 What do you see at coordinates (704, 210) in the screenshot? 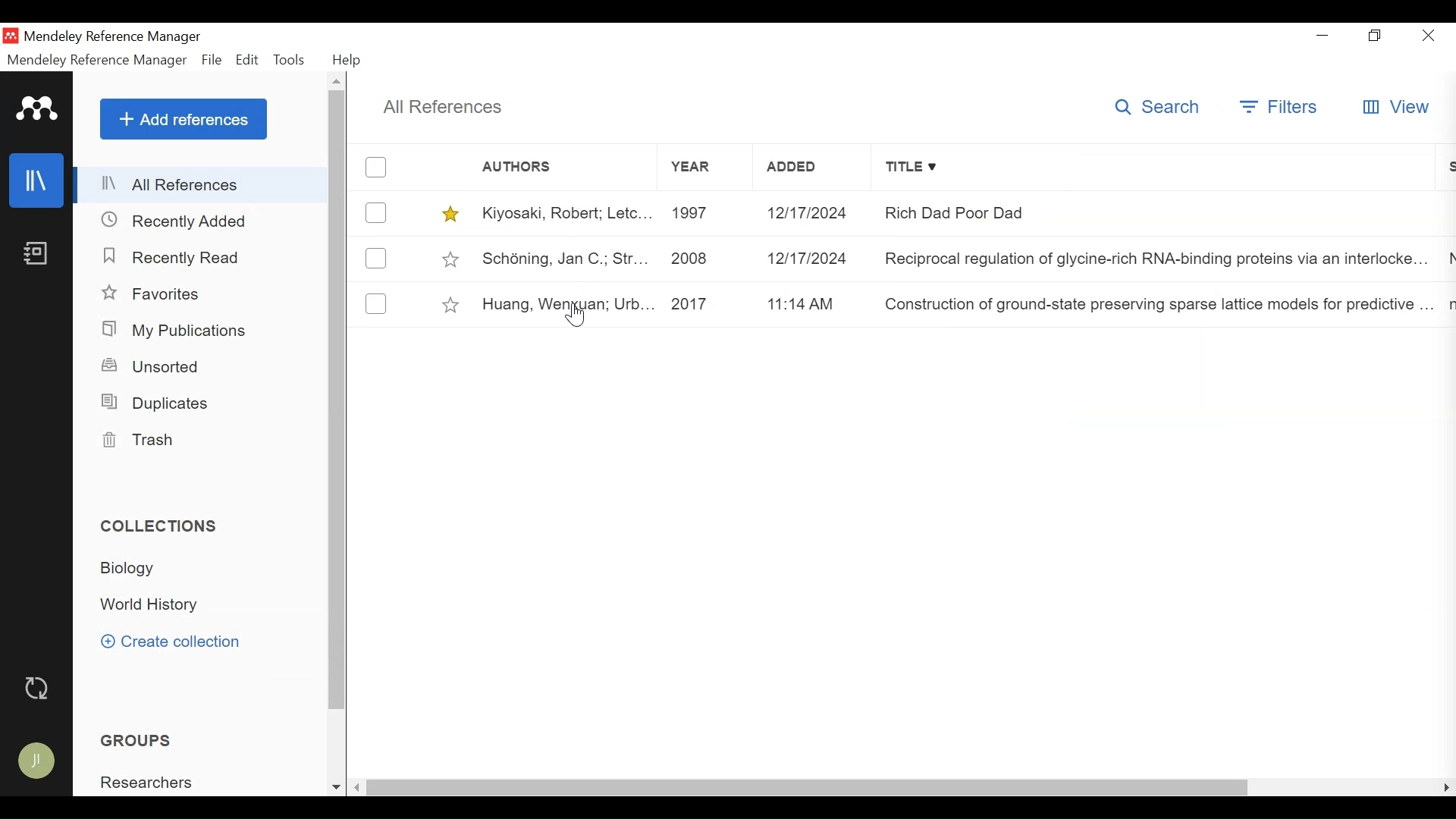
I see `1997` at bounding box center [704, 210].